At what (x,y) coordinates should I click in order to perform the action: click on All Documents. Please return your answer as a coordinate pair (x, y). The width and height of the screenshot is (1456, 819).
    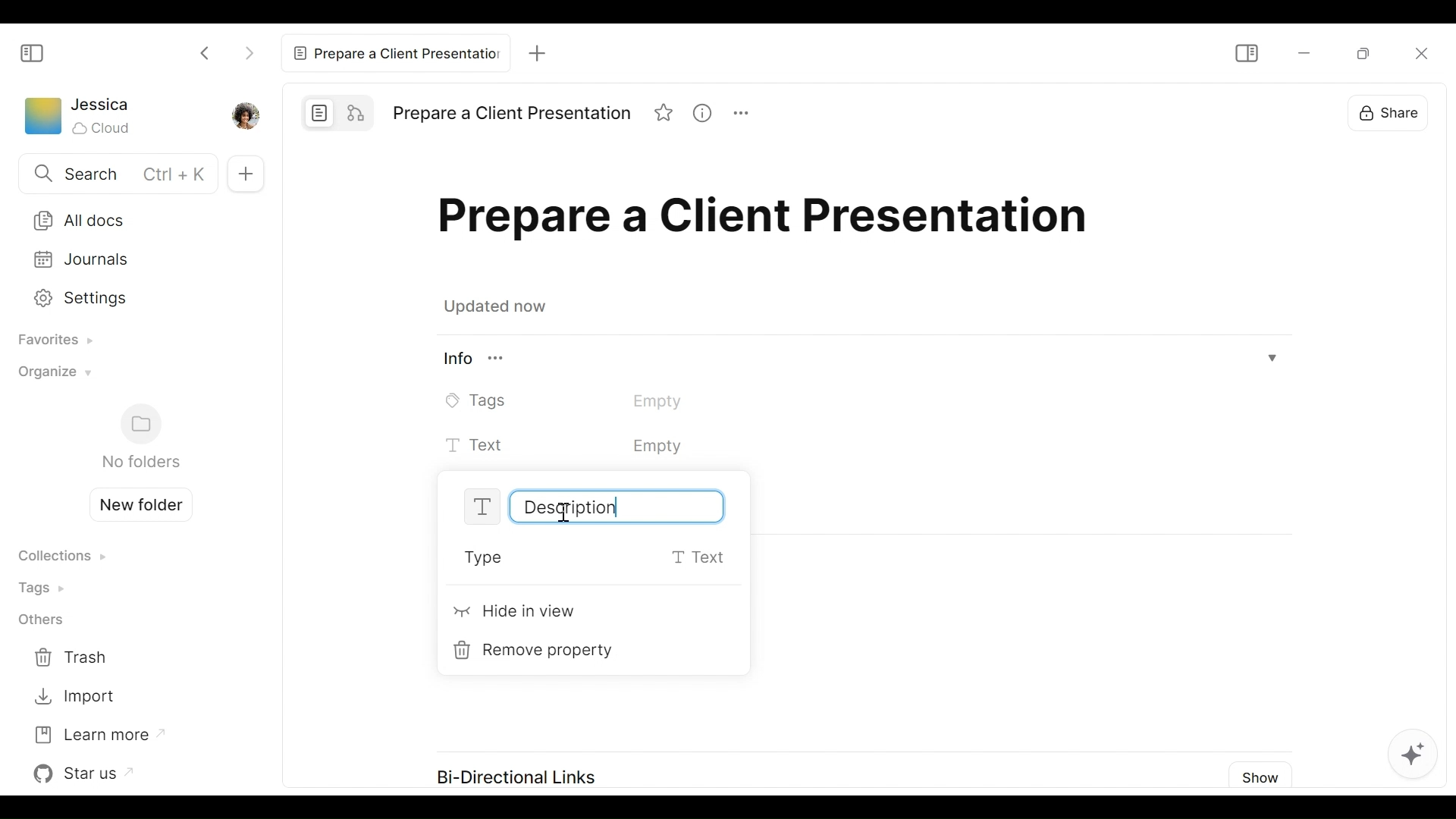
    Looking at the image, I should click on (130, 219).